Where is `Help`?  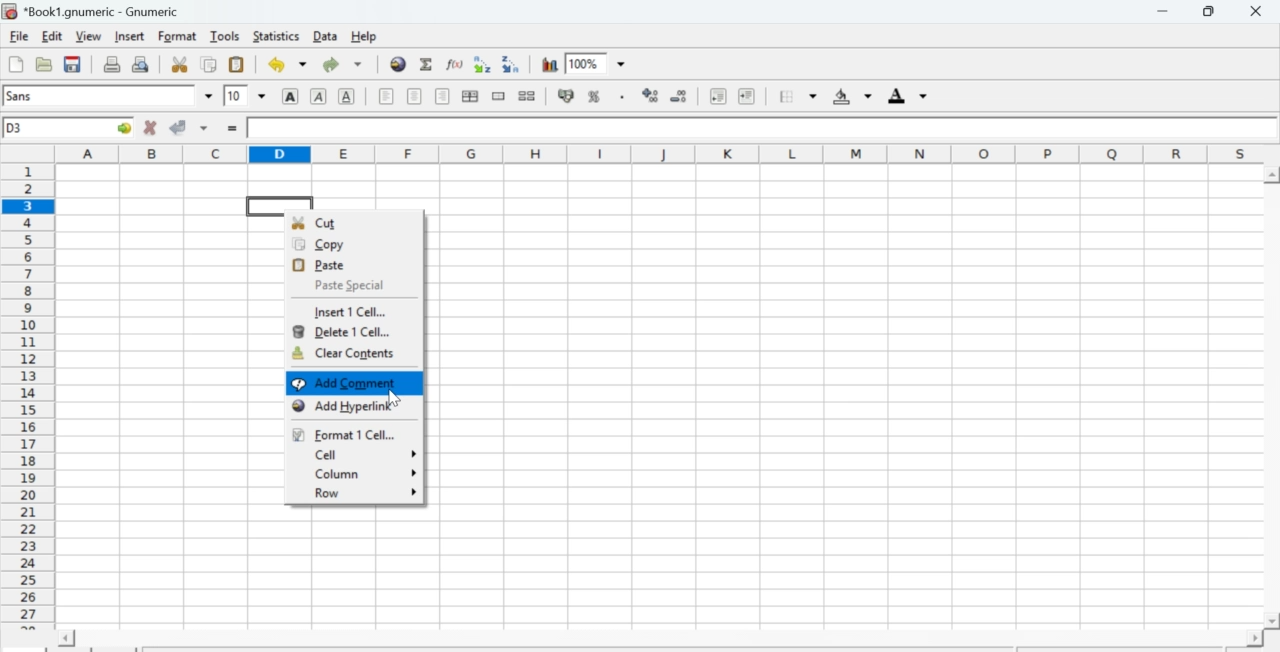
Help is located at coordinates (363, 36).